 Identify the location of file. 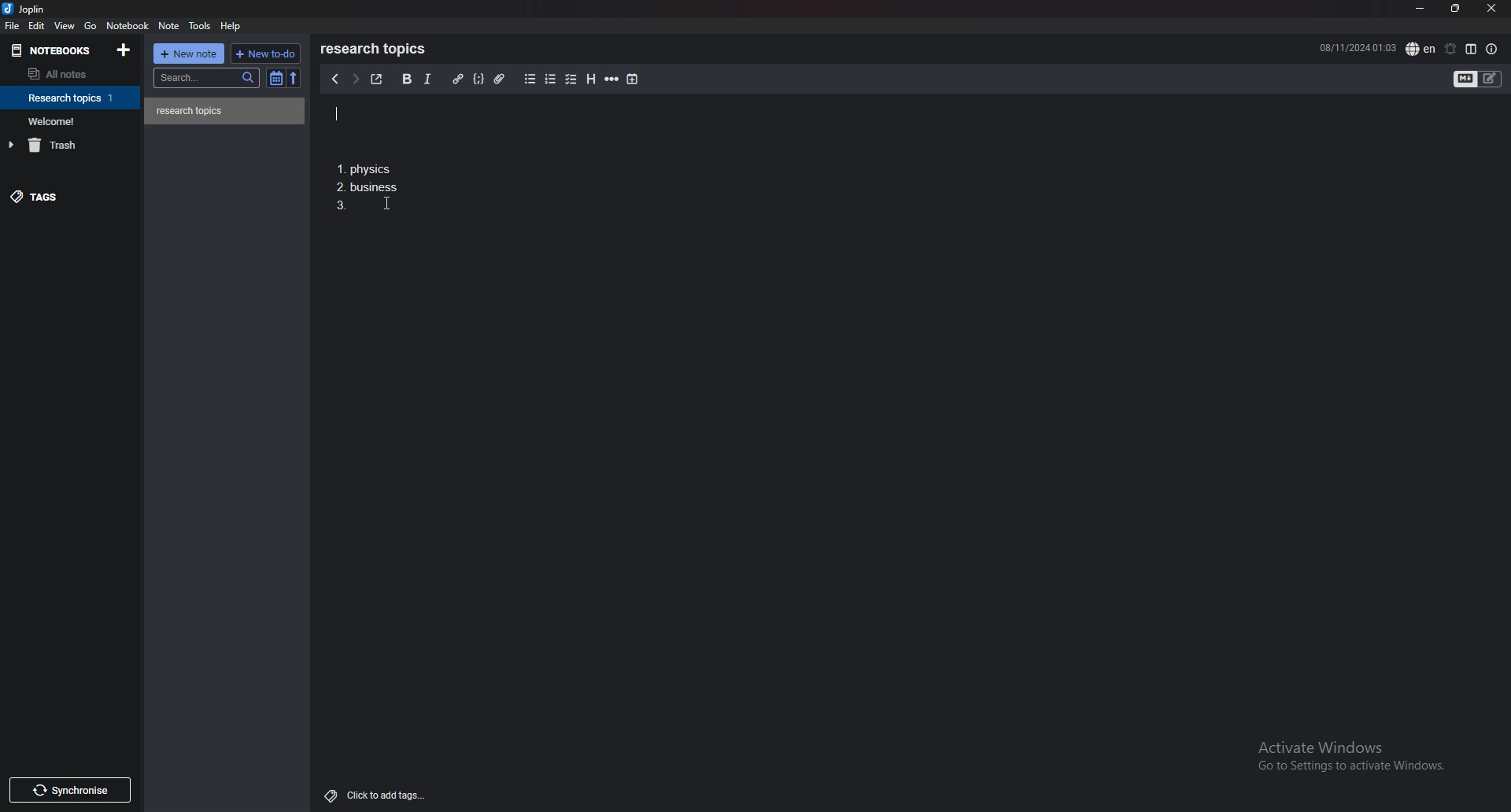
(13, 26).